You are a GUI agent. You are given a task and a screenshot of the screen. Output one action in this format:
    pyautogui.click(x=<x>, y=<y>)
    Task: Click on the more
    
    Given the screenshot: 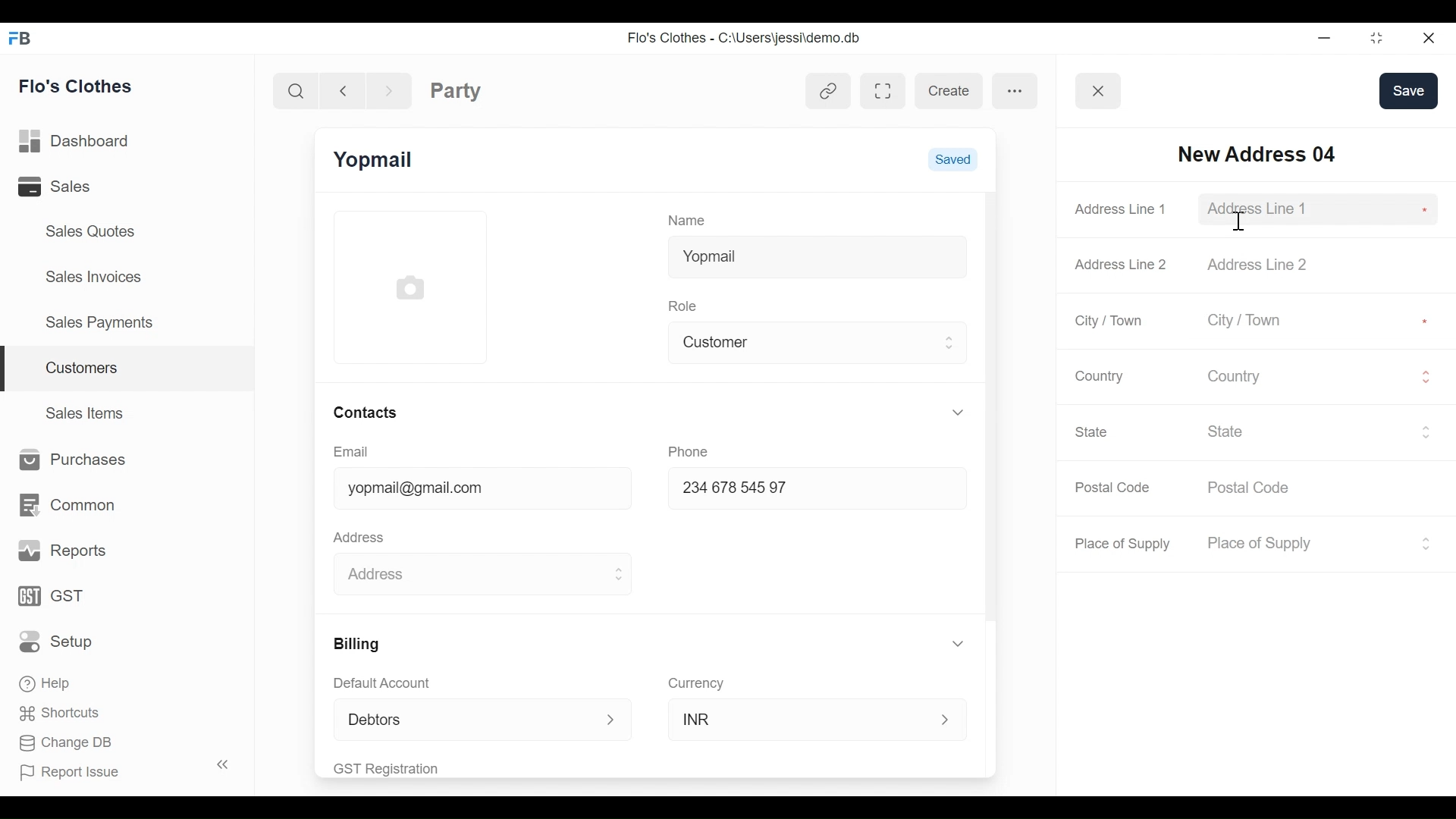 What is the action you would take?
    pyautogui.click(x=1015, y=89)
    